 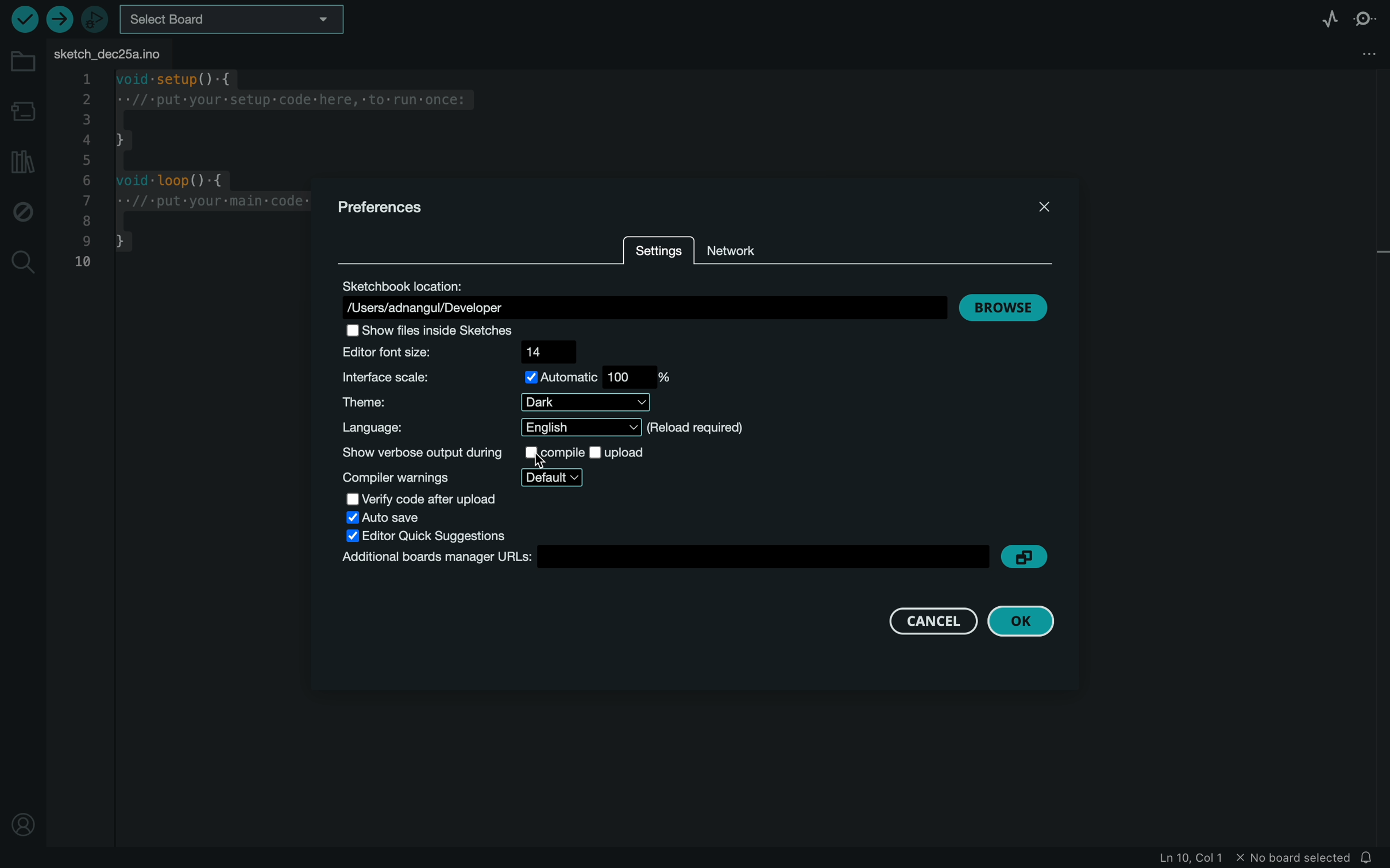 What do you see at coordinates (449, 329) in the screenshot?
I see `show  files` at bounding box center [449, 329].